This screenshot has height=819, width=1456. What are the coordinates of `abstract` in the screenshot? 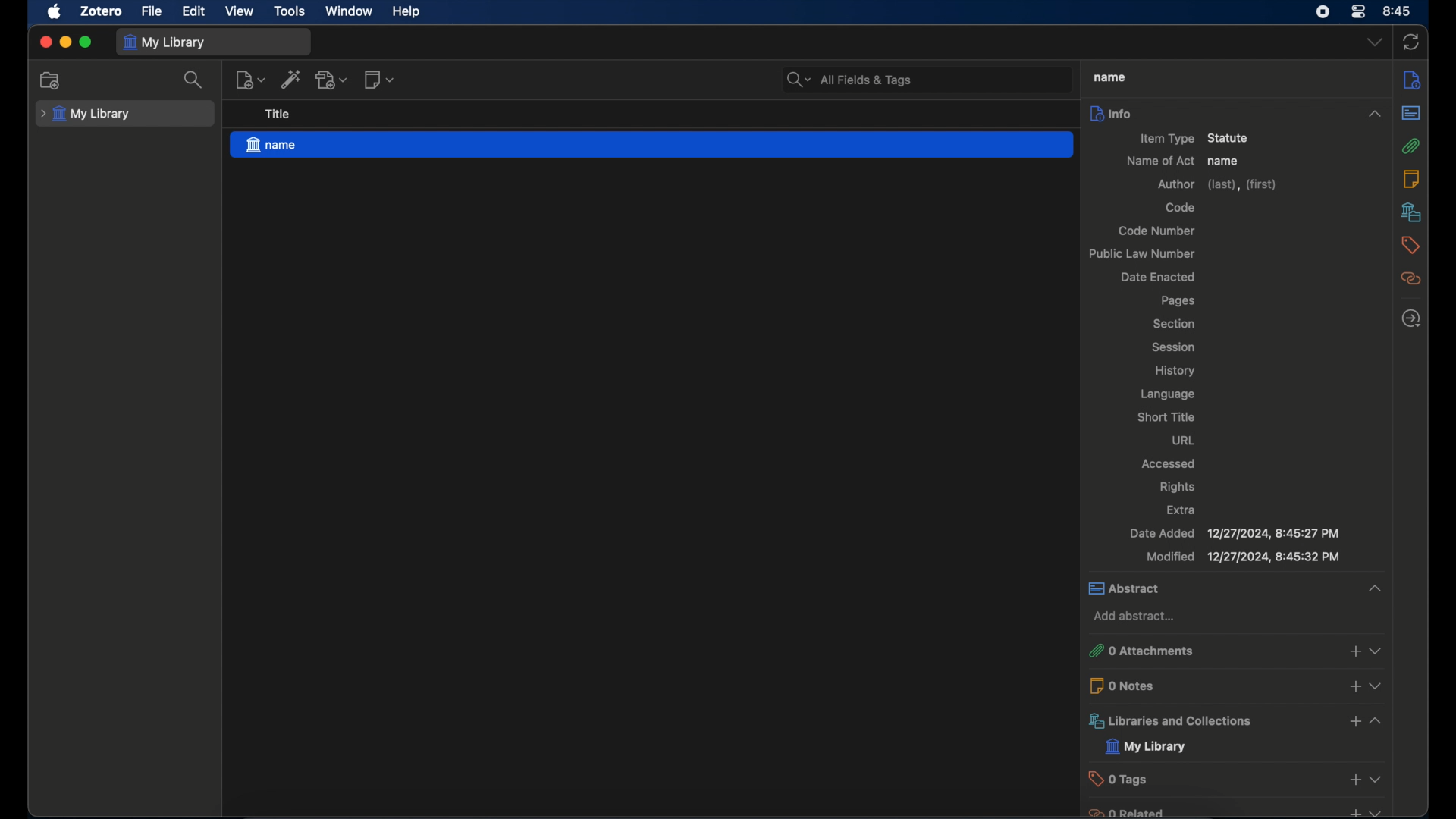 It's located at (1411, 112).